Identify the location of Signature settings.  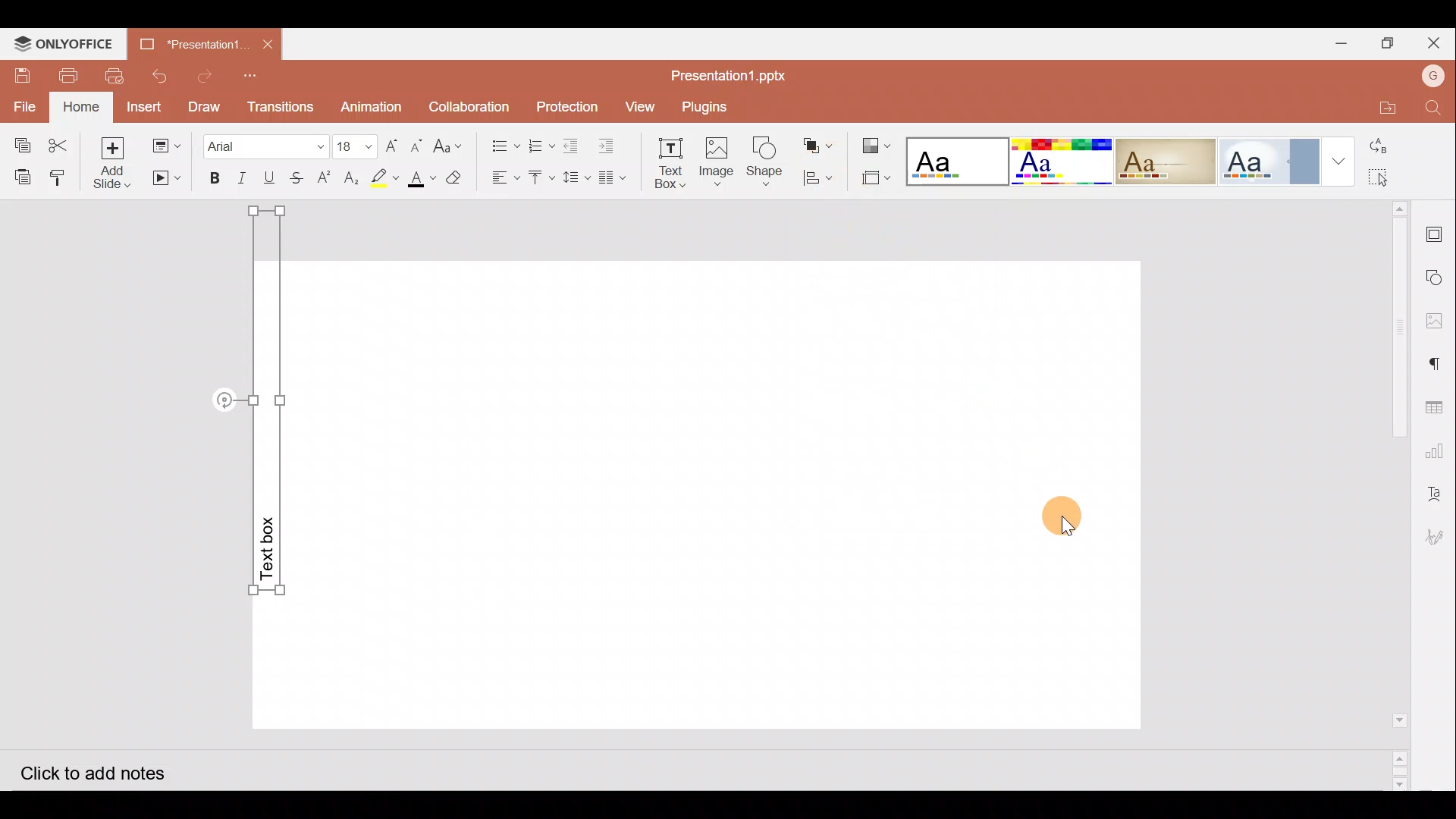
(1436, 539).